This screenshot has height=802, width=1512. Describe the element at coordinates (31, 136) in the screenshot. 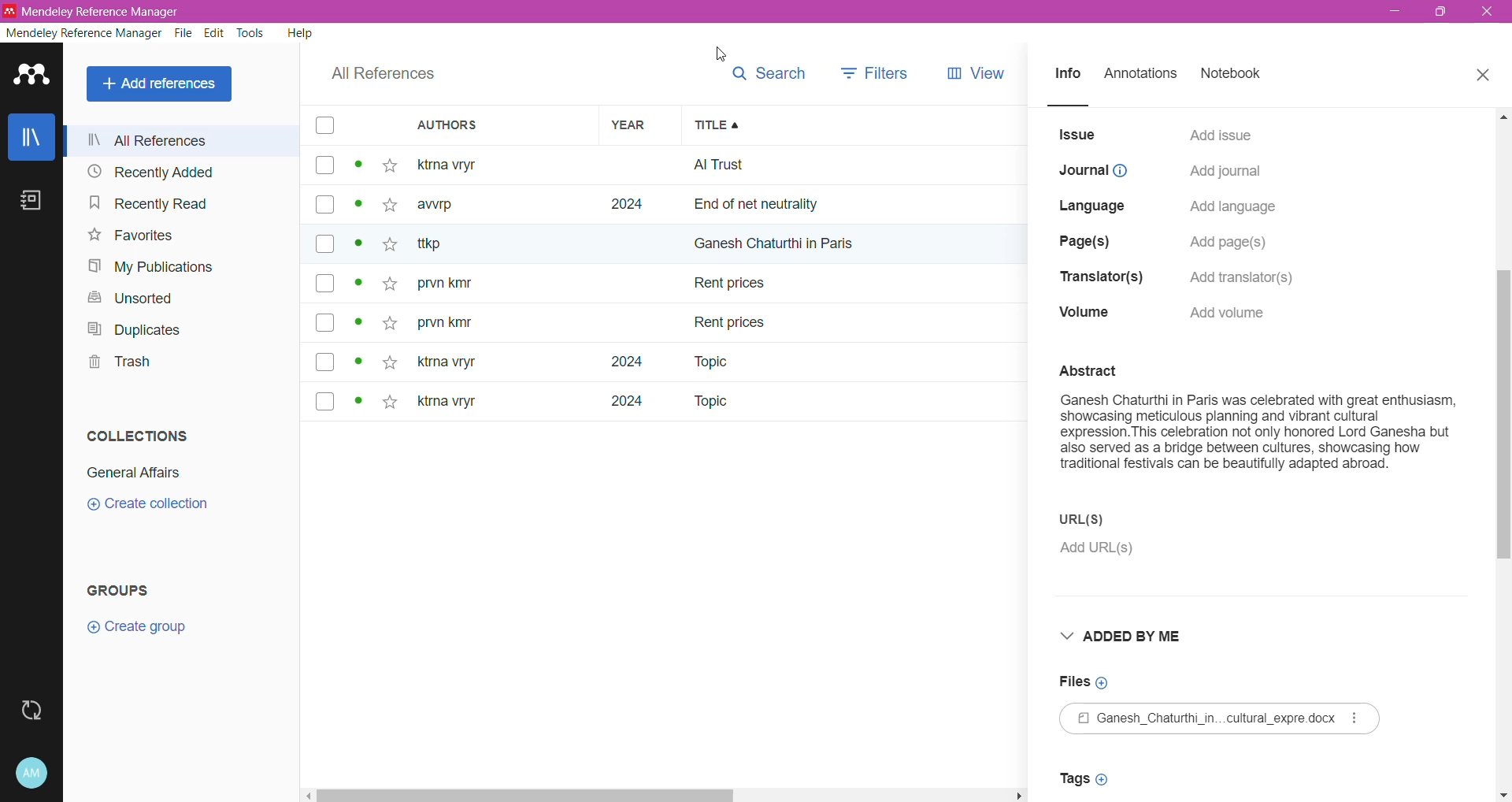

I see `Library` at that location.